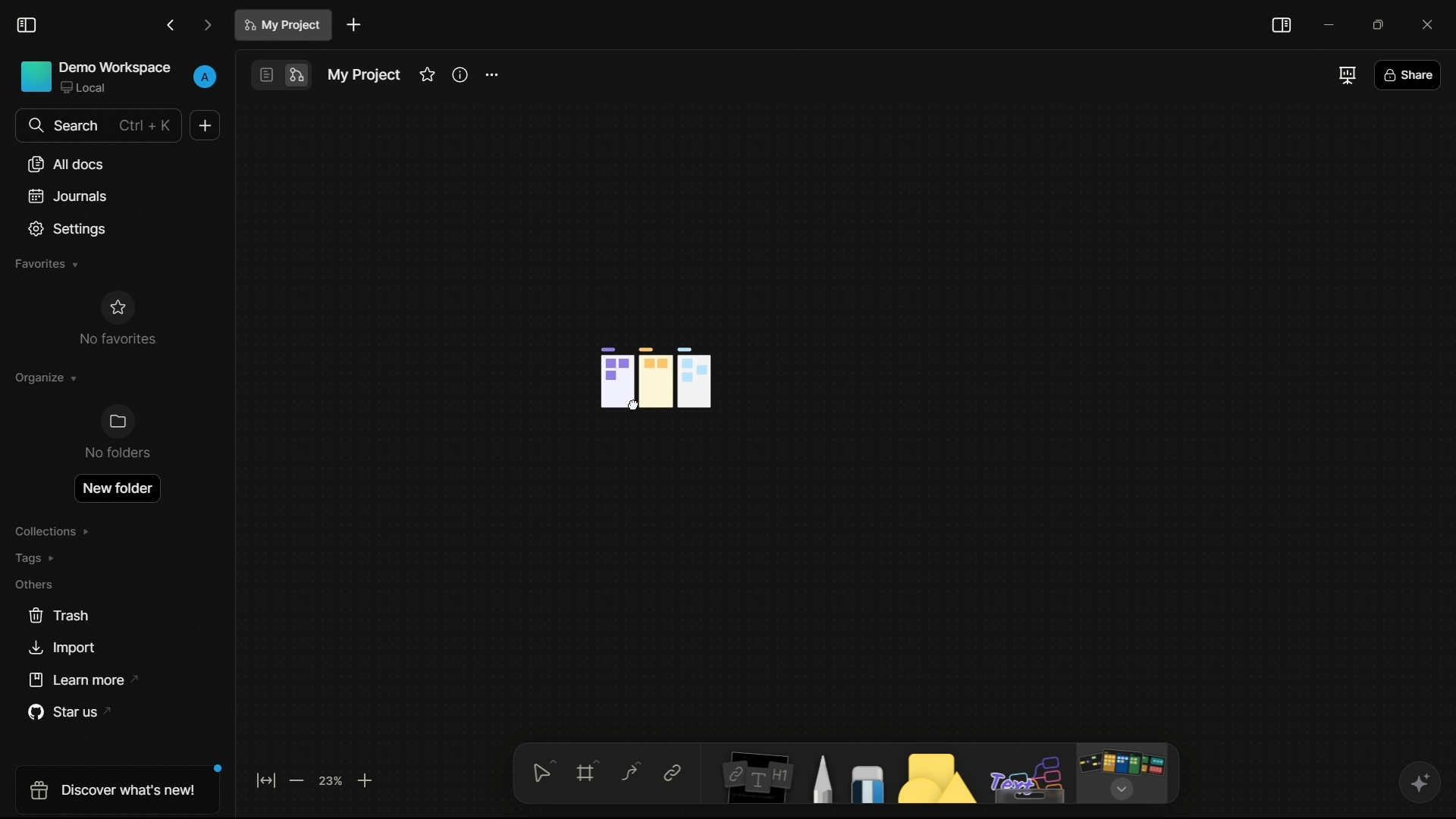 The image size is (1456, 819). What do you see at coordinates (265, 780) in the screenshot?
I see `fit to screen` at bounding box center [265, 780].